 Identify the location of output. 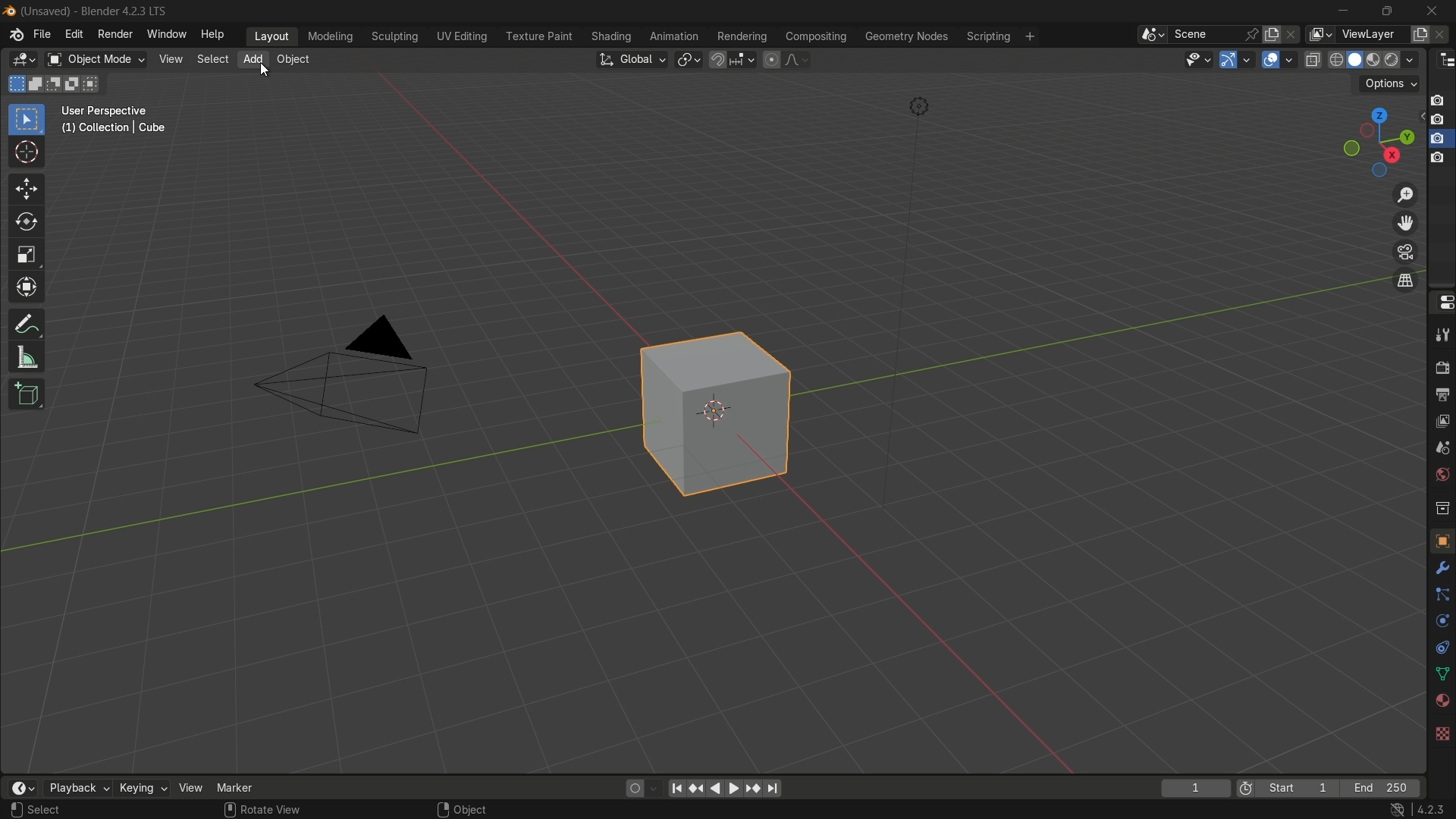
(1440, 395).